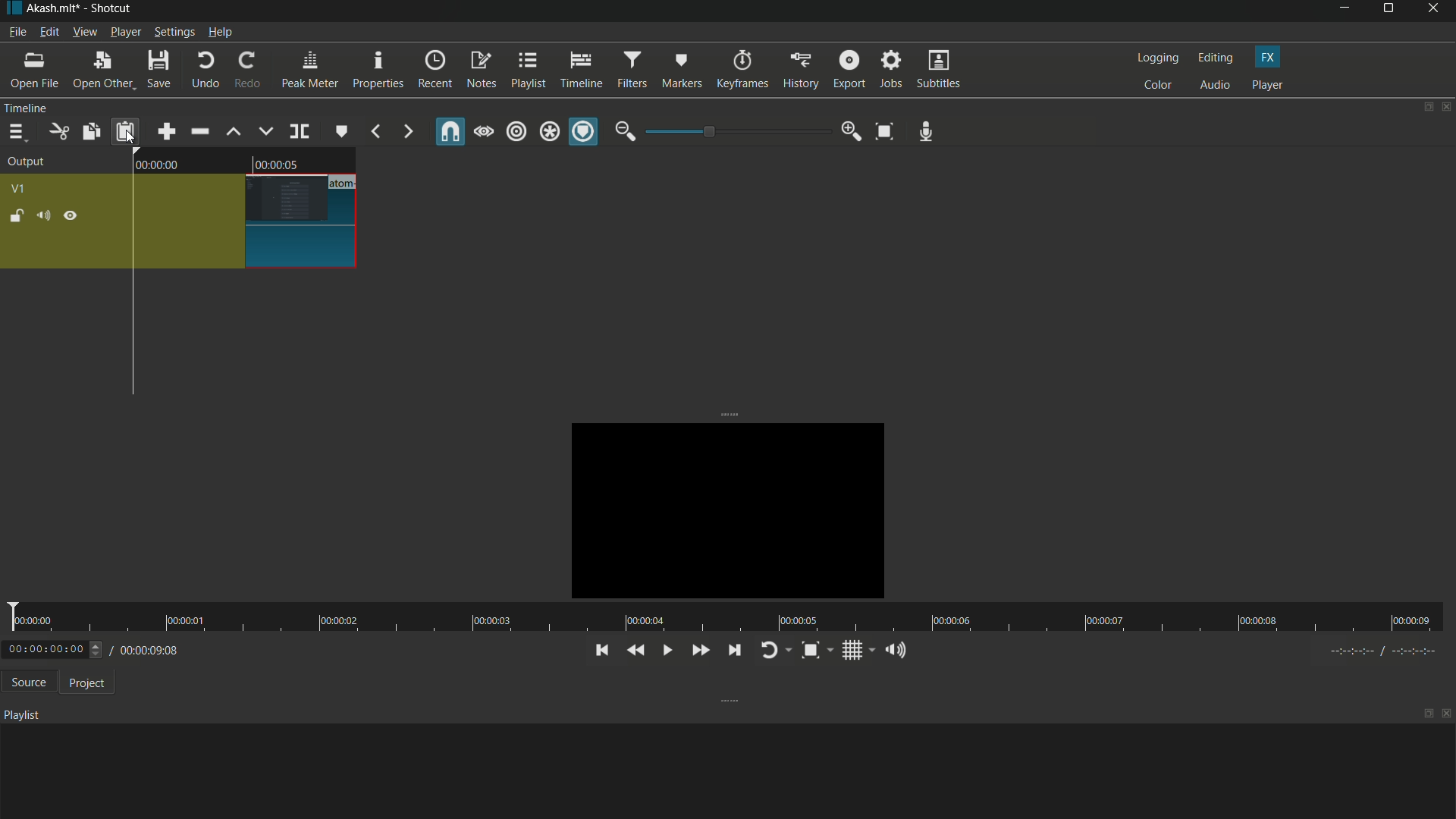 This screenshot has height=819, width=1456. I want to click on open file, so click(33, 70).